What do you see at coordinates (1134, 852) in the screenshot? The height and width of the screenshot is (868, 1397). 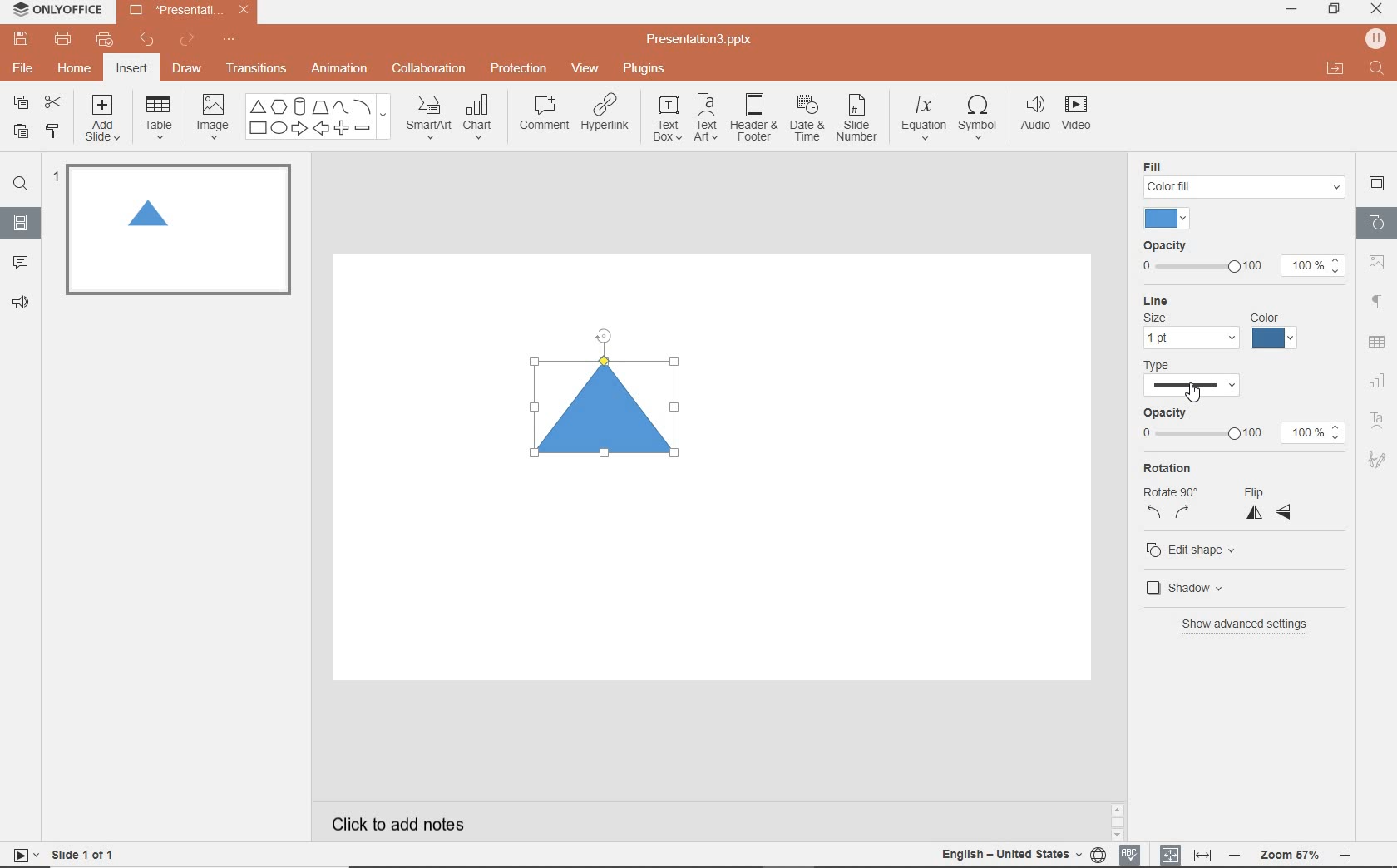 I see `SPELL CHECKING` at bounding box center [1134, 852].